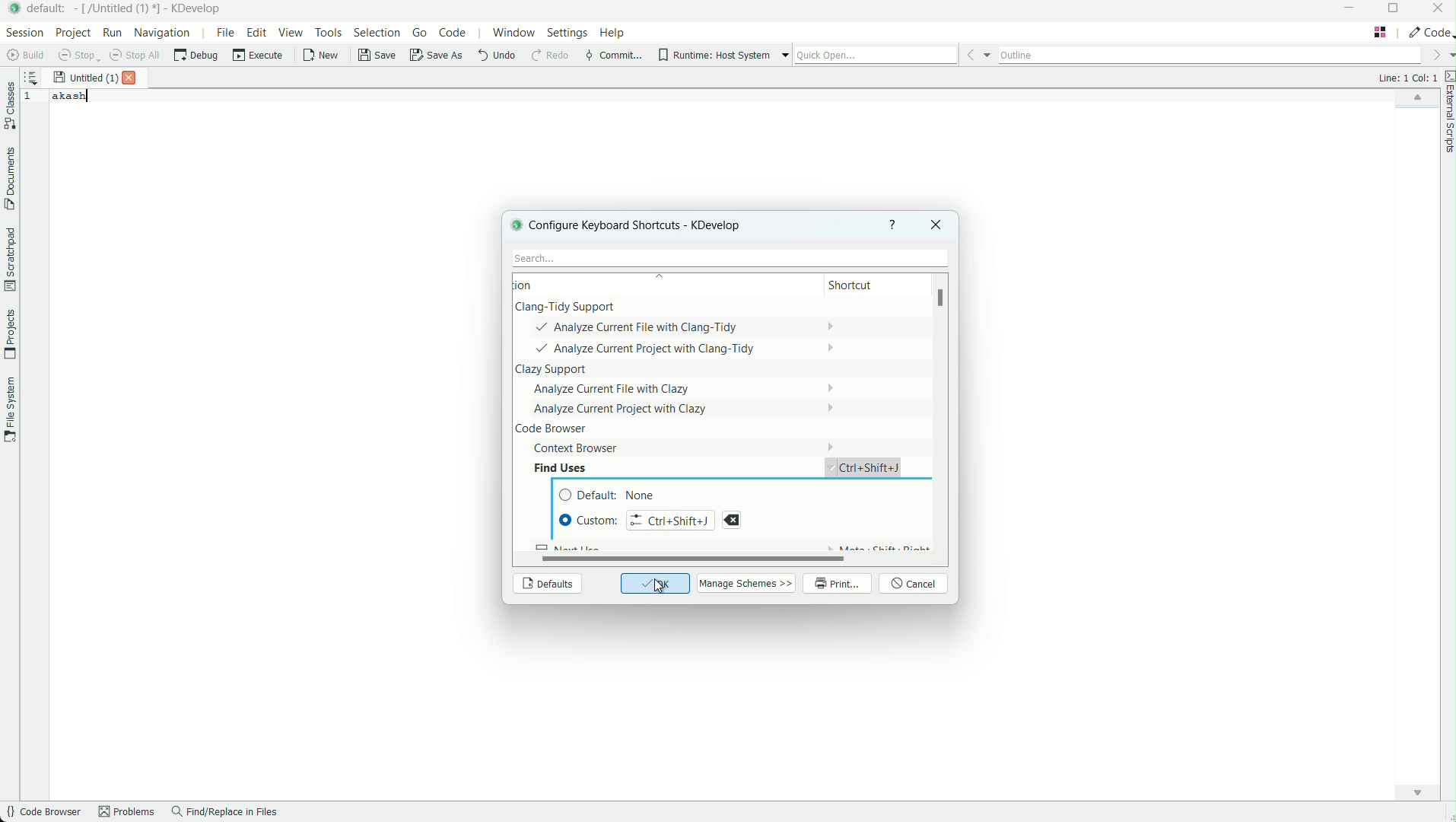 This screenshot has height=822, width=1456. I want to click on execute, so click(259, 56).